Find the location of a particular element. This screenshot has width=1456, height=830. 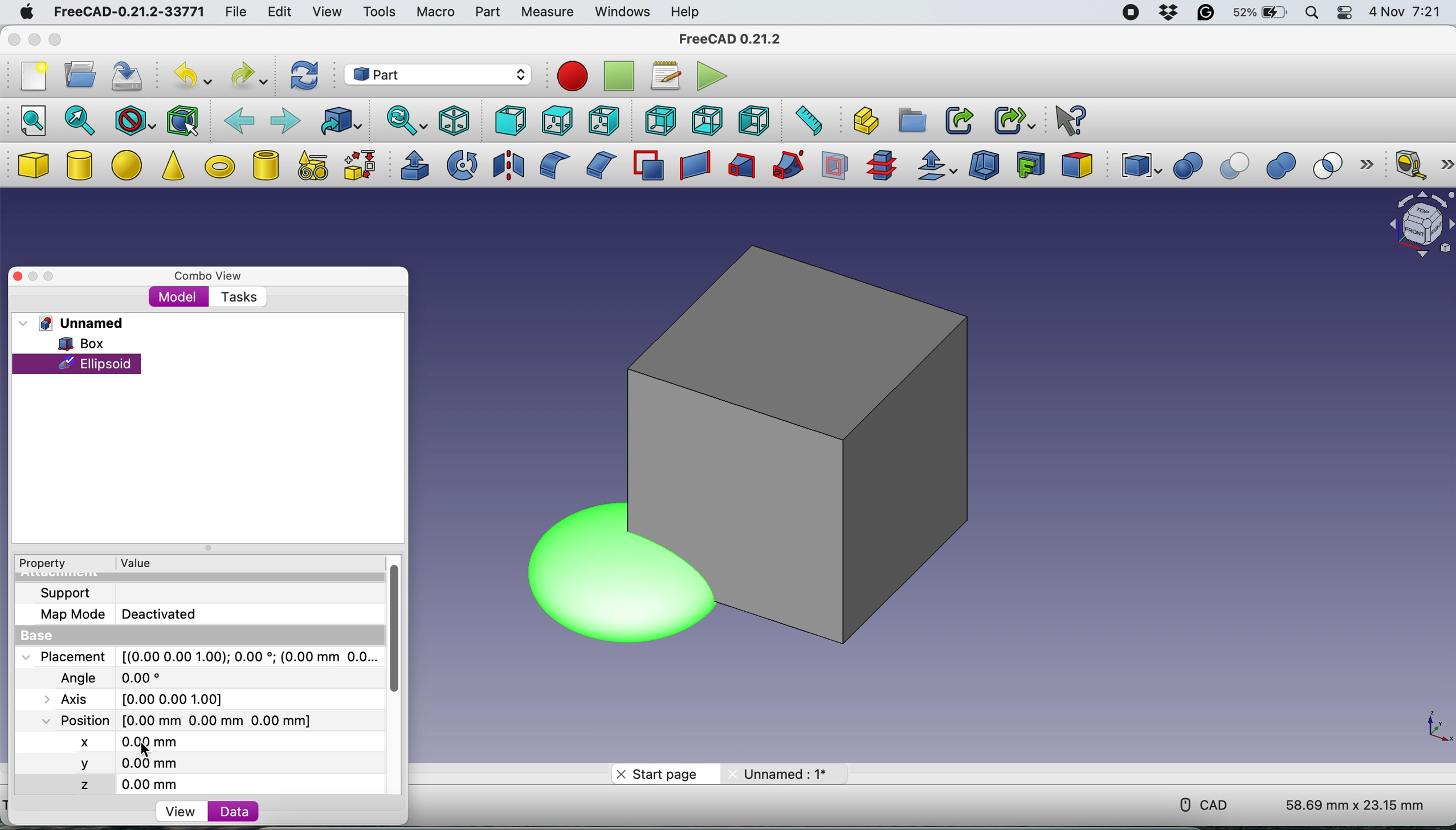

cross section is located at coordinates (882, 166).